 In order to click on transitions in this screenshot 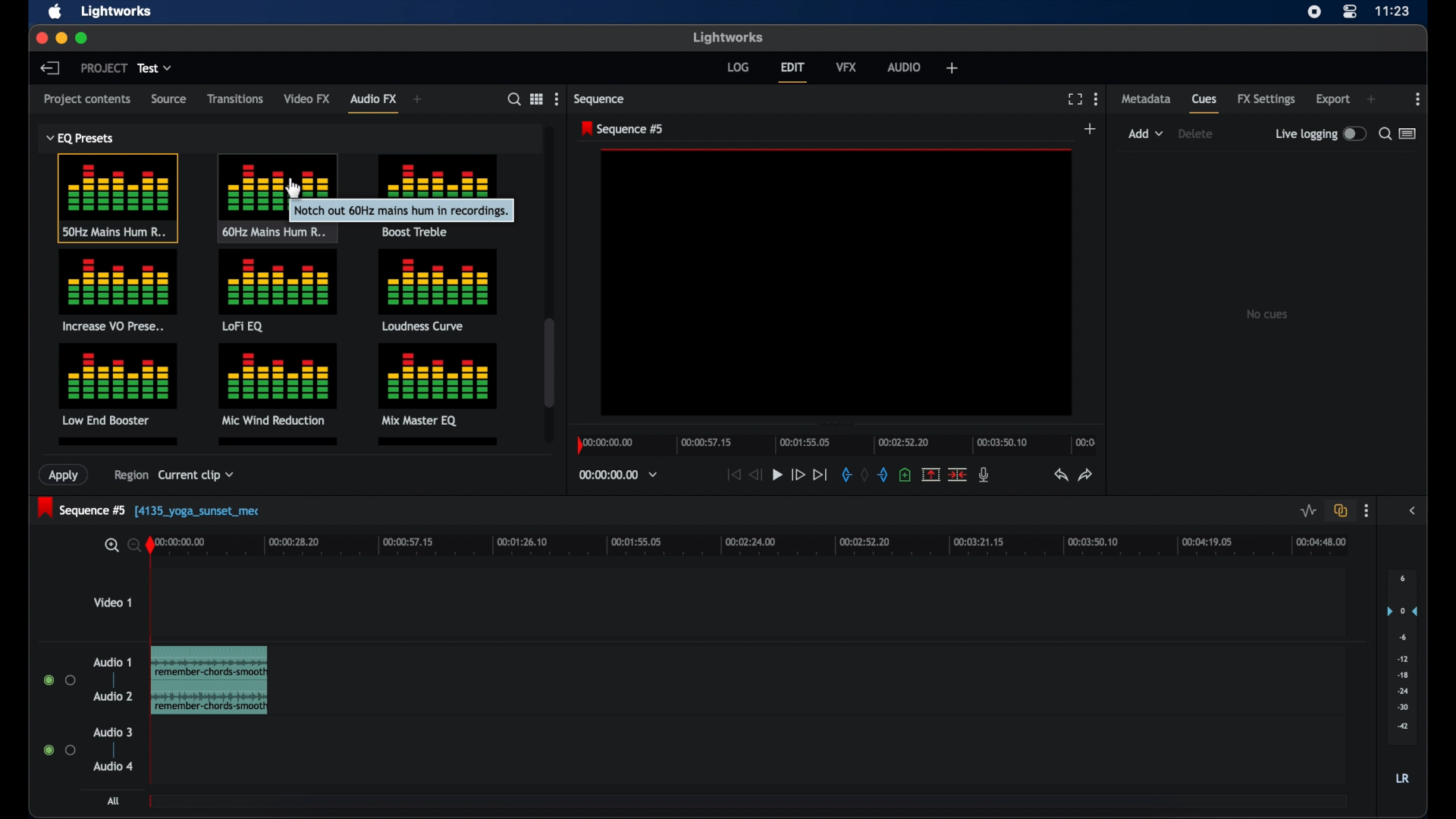, I will do `click(235, 99)`.